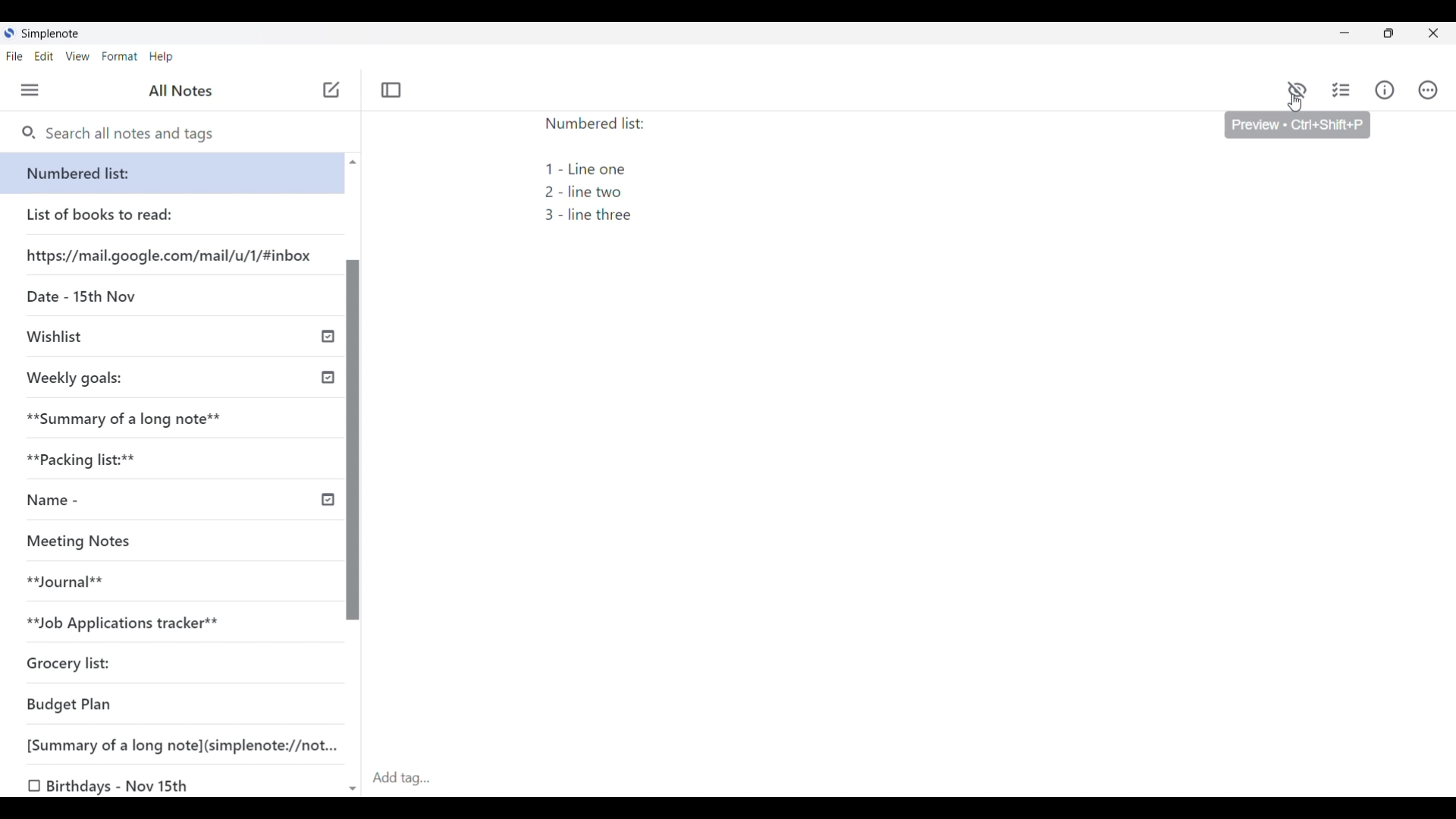  What do you see at coordinates (93, 298) in the screenshot?
I see `Date - 15th Nov` at bounding box center [93, 298].